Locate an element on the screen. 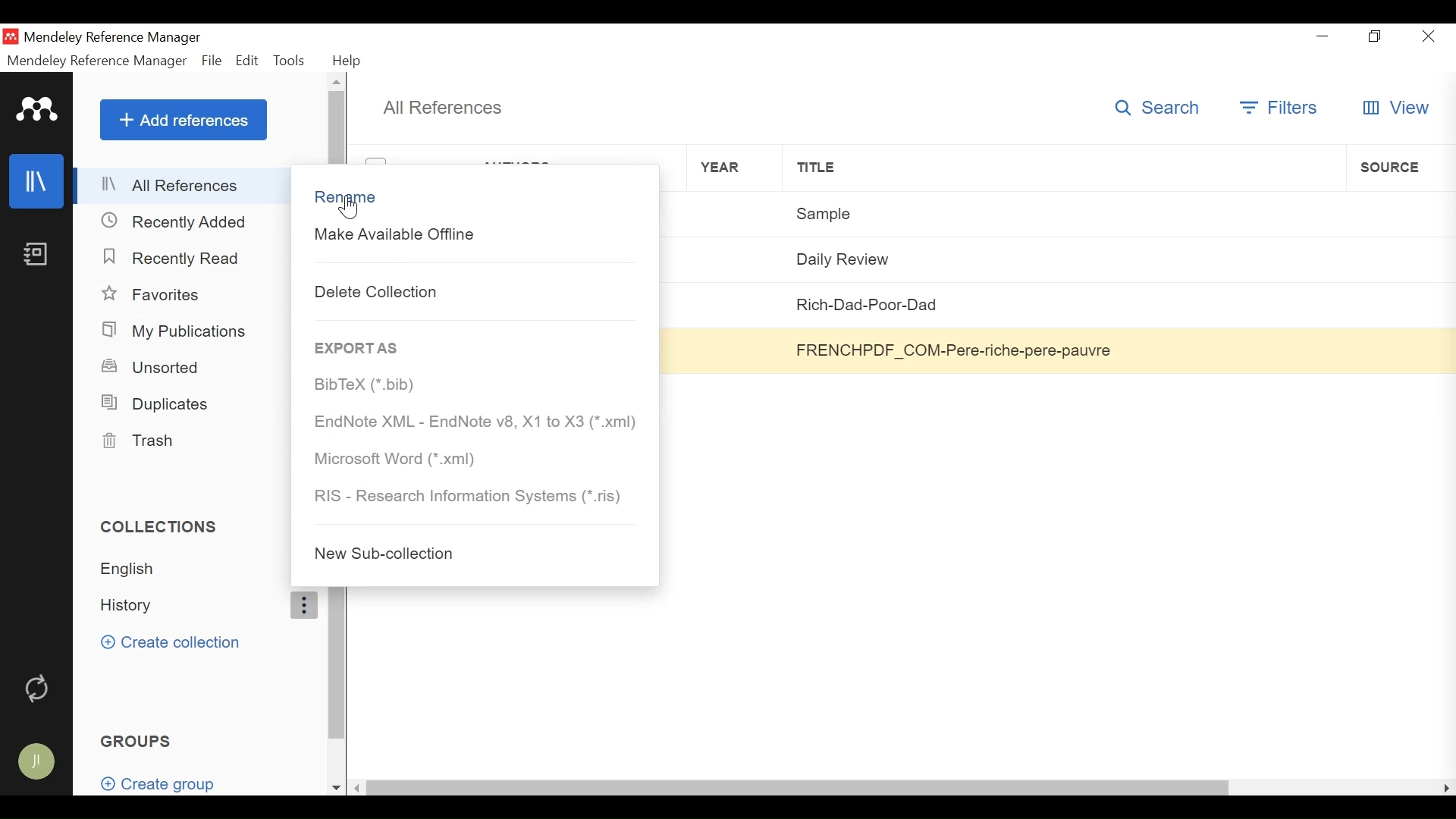  Close is located at coordinates (1426, 36).